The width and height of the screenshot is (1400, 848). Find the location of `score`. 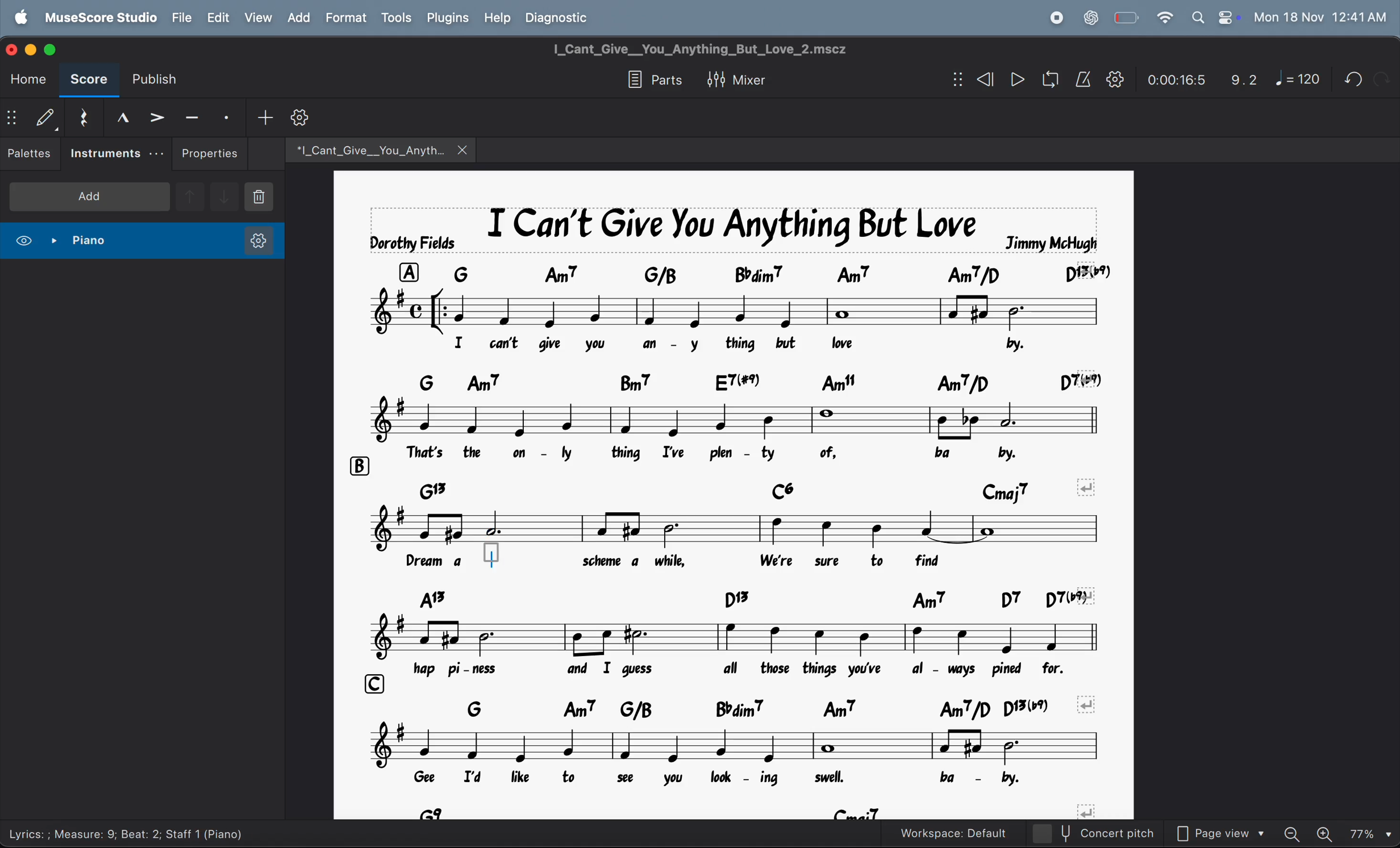

score is located at coordinates (89, 82).